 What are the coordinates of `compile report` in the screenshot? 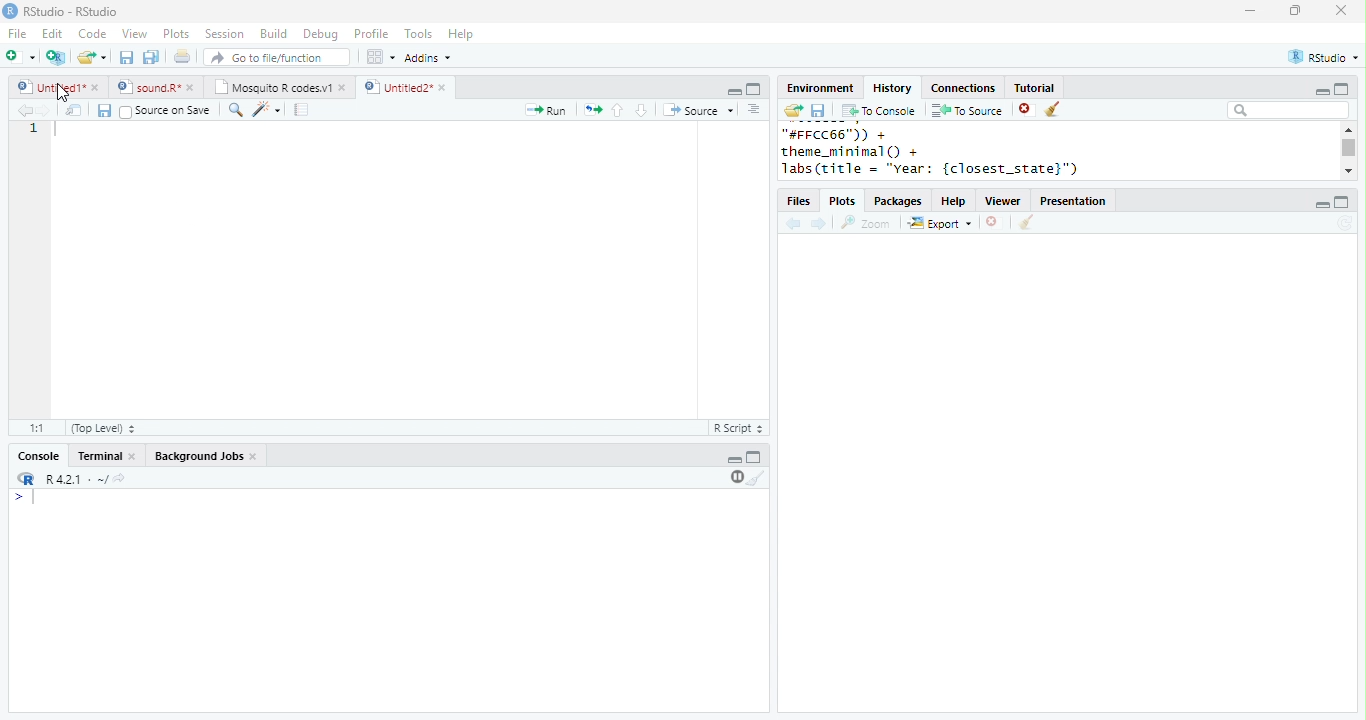 It's located at (302, 111).